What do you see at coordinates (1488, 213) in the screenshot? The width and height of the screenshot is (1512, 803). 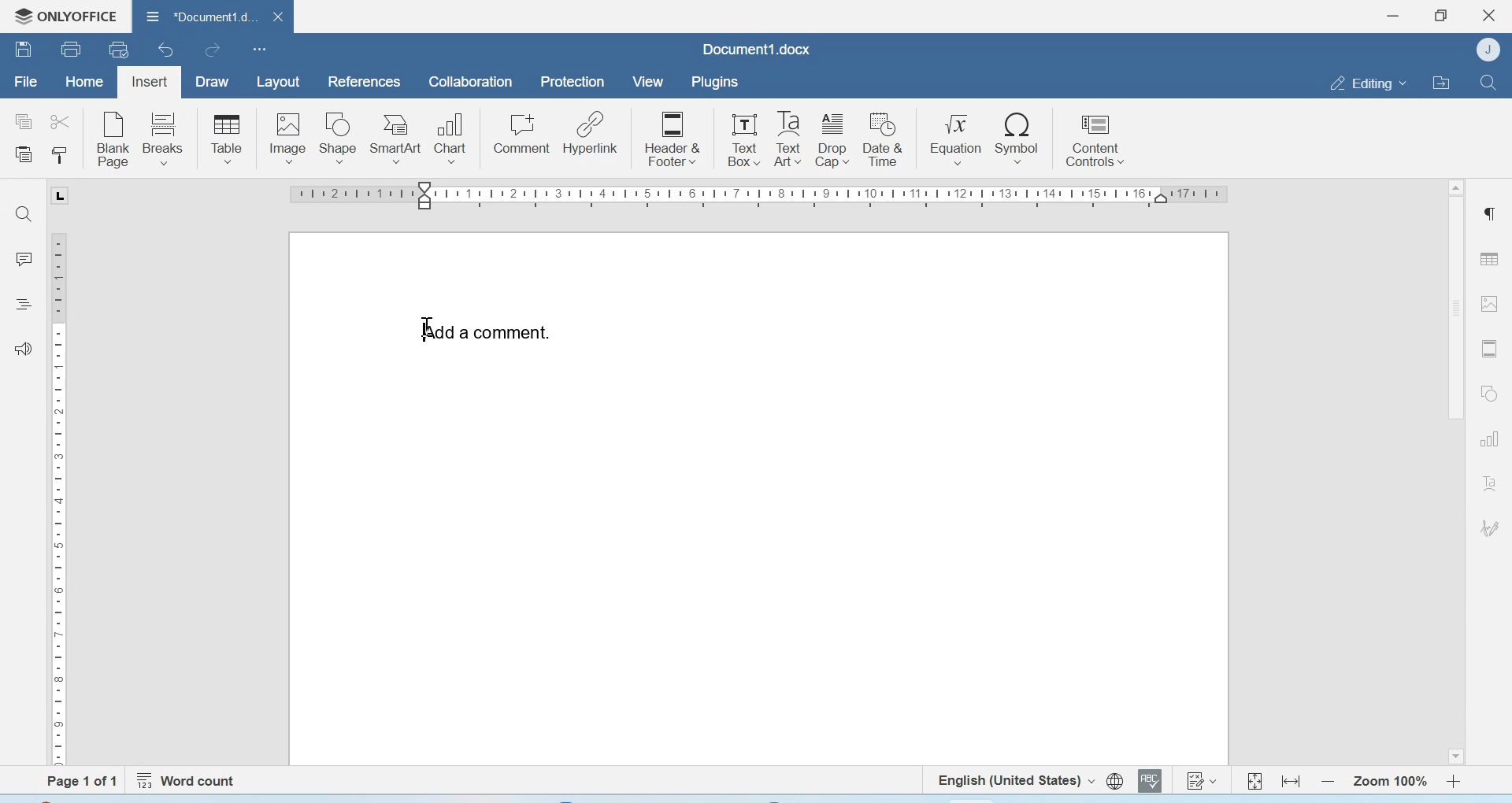 I see `Paragraph settings` at bounding box center [1488, 213].